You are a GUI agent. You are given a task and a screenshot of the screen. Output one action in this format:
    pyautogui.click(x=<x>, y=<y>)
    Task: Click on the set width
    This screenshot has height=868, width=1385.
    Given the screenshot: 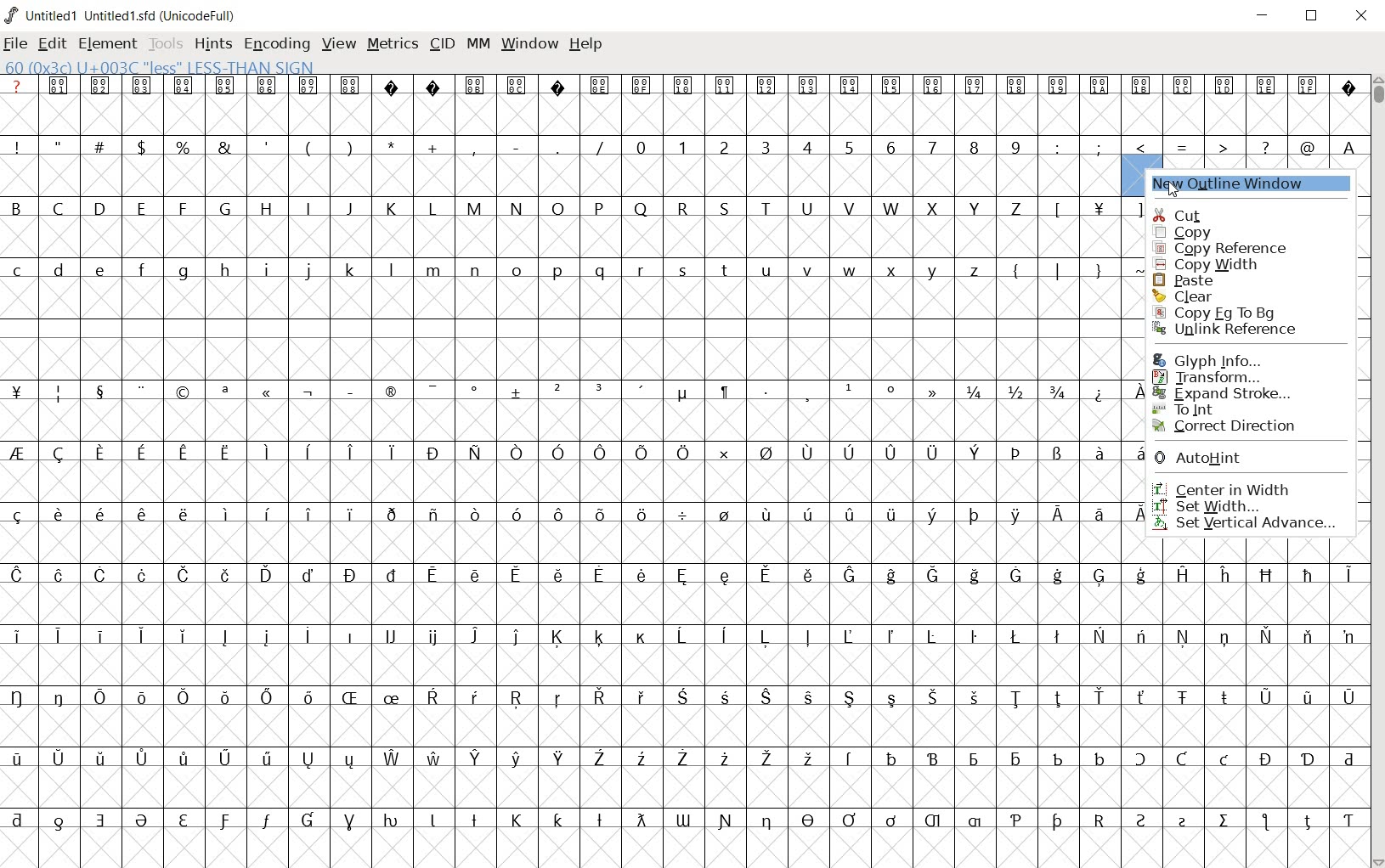 What is the action you would take?
    pyautogui.click(x=1241, y=504)
    